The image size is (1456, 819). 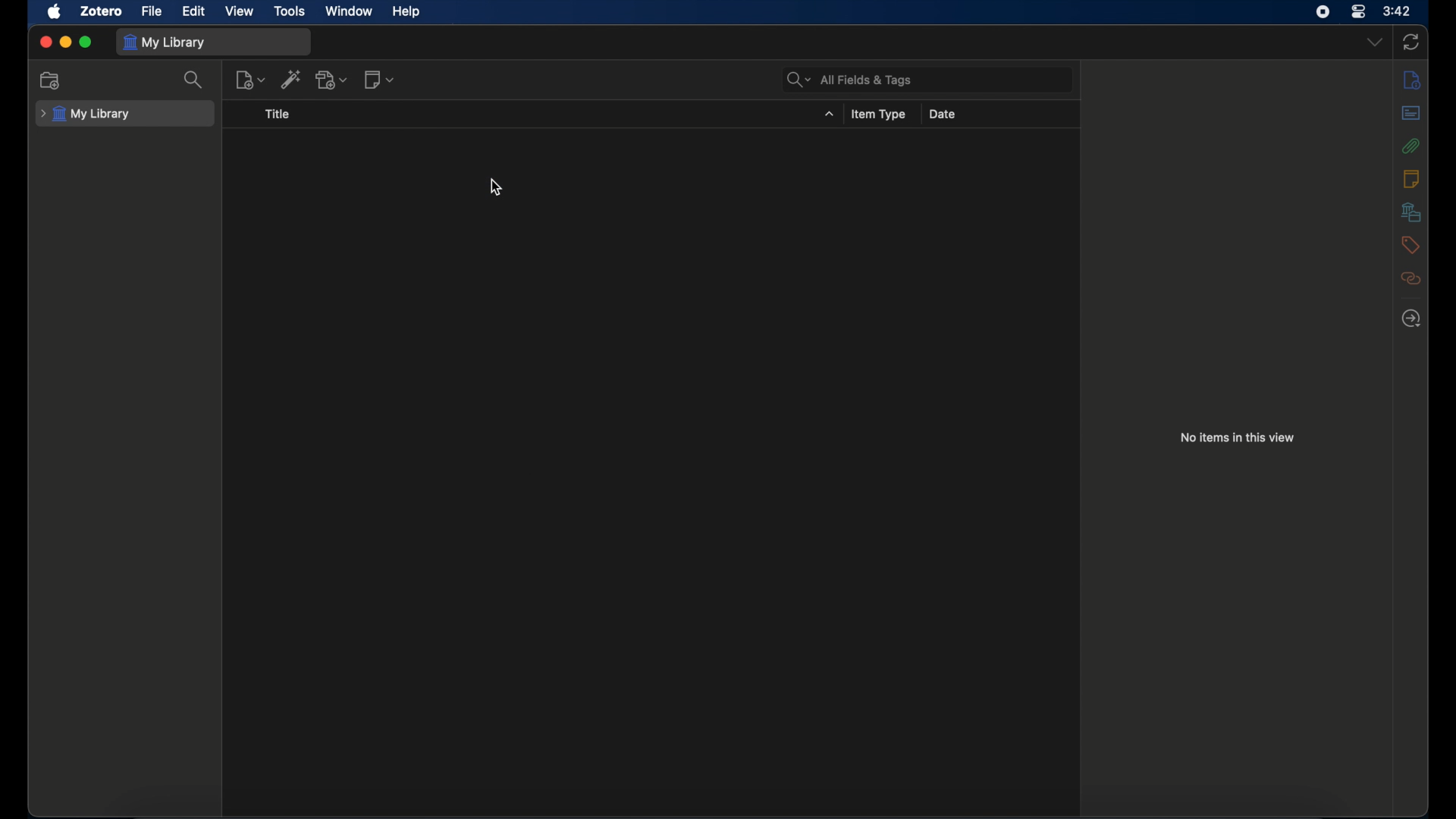 I want to click on abstract, so click(x=1411, y=112).